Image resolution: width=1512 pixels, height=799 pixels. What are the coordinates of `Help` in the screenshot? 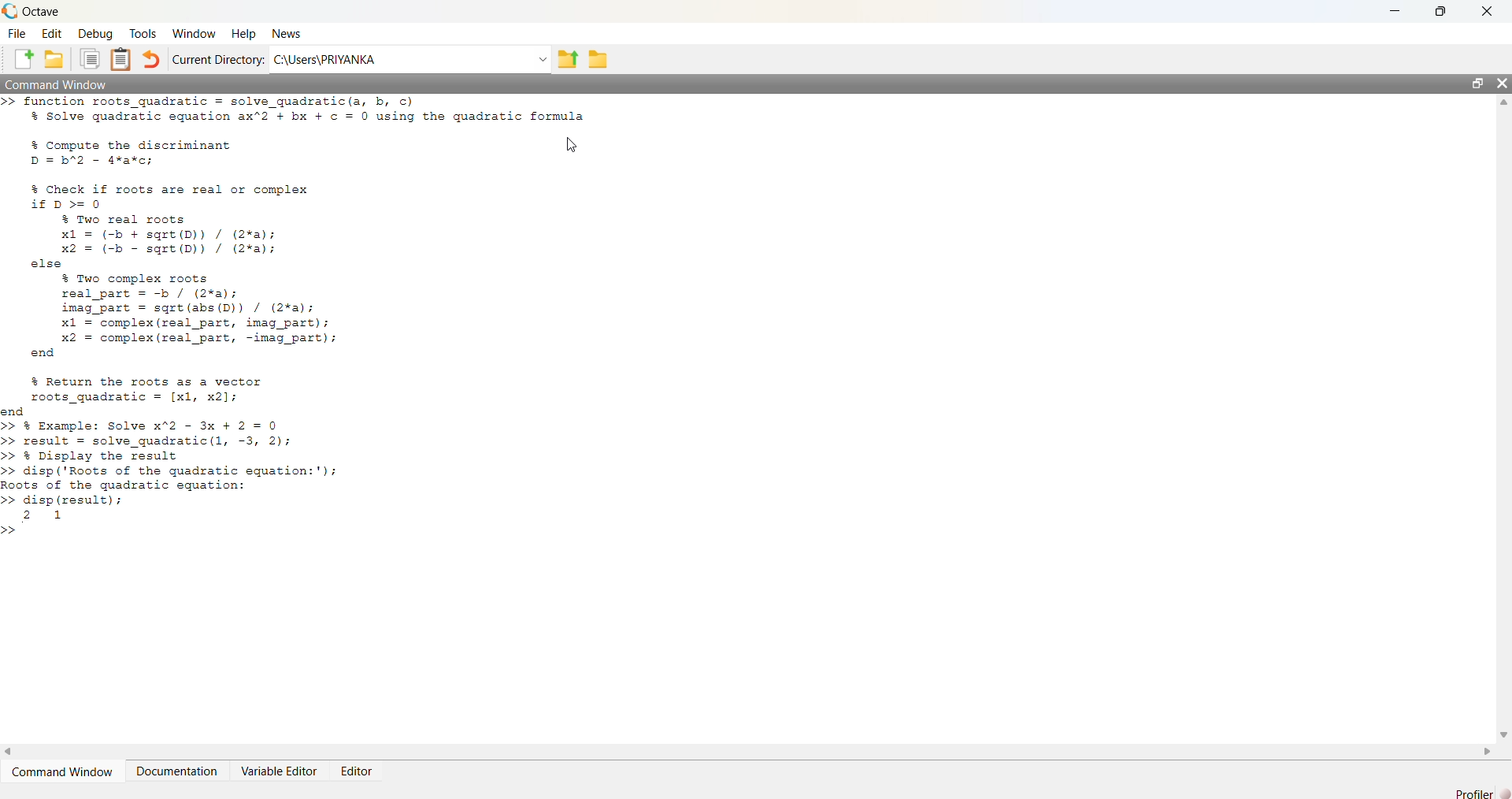 It's located at (241, 34).